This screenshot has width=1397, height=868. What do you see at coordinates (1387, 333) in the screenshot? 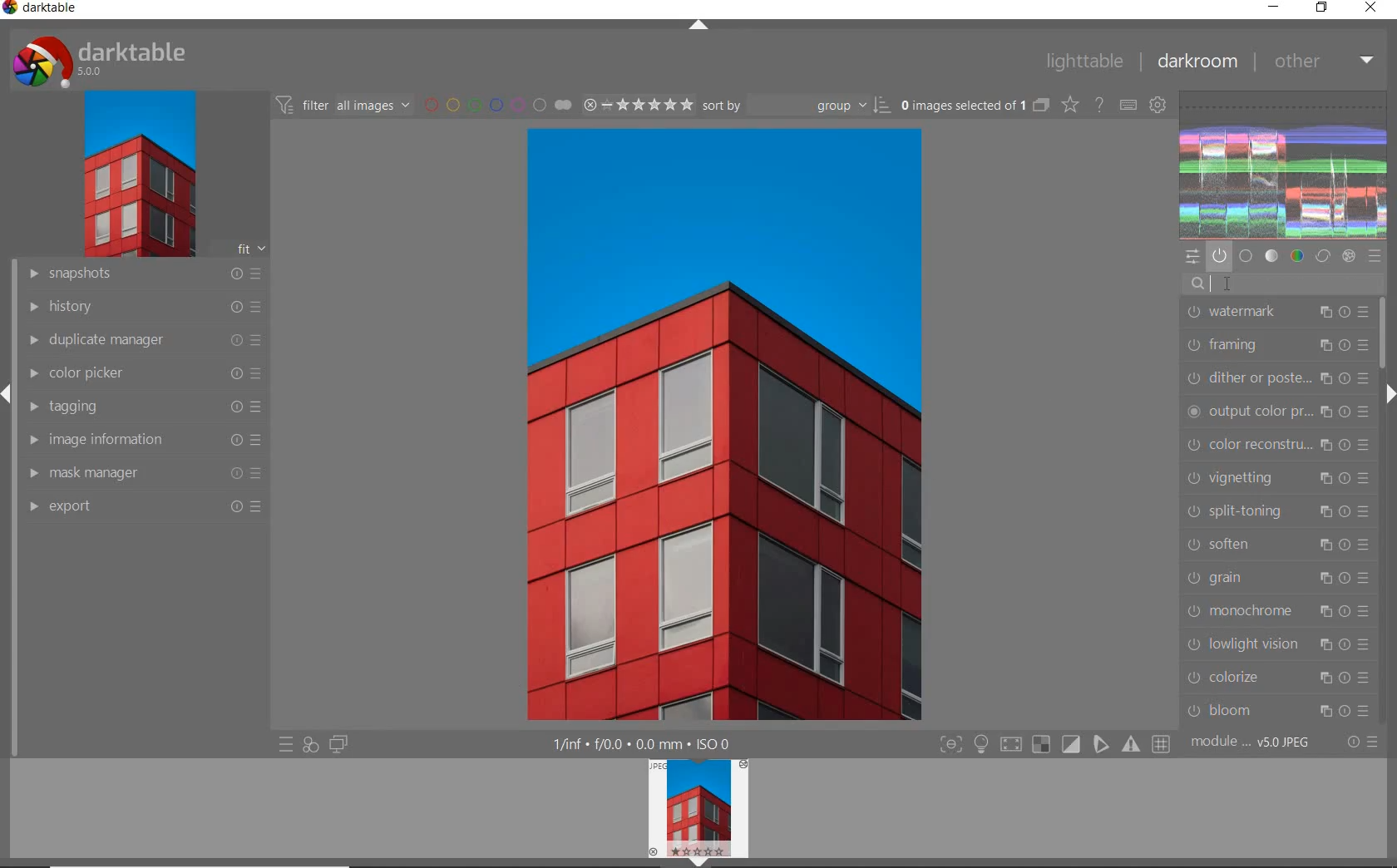
I see `scollbar` at bounding box center [1387, 333].